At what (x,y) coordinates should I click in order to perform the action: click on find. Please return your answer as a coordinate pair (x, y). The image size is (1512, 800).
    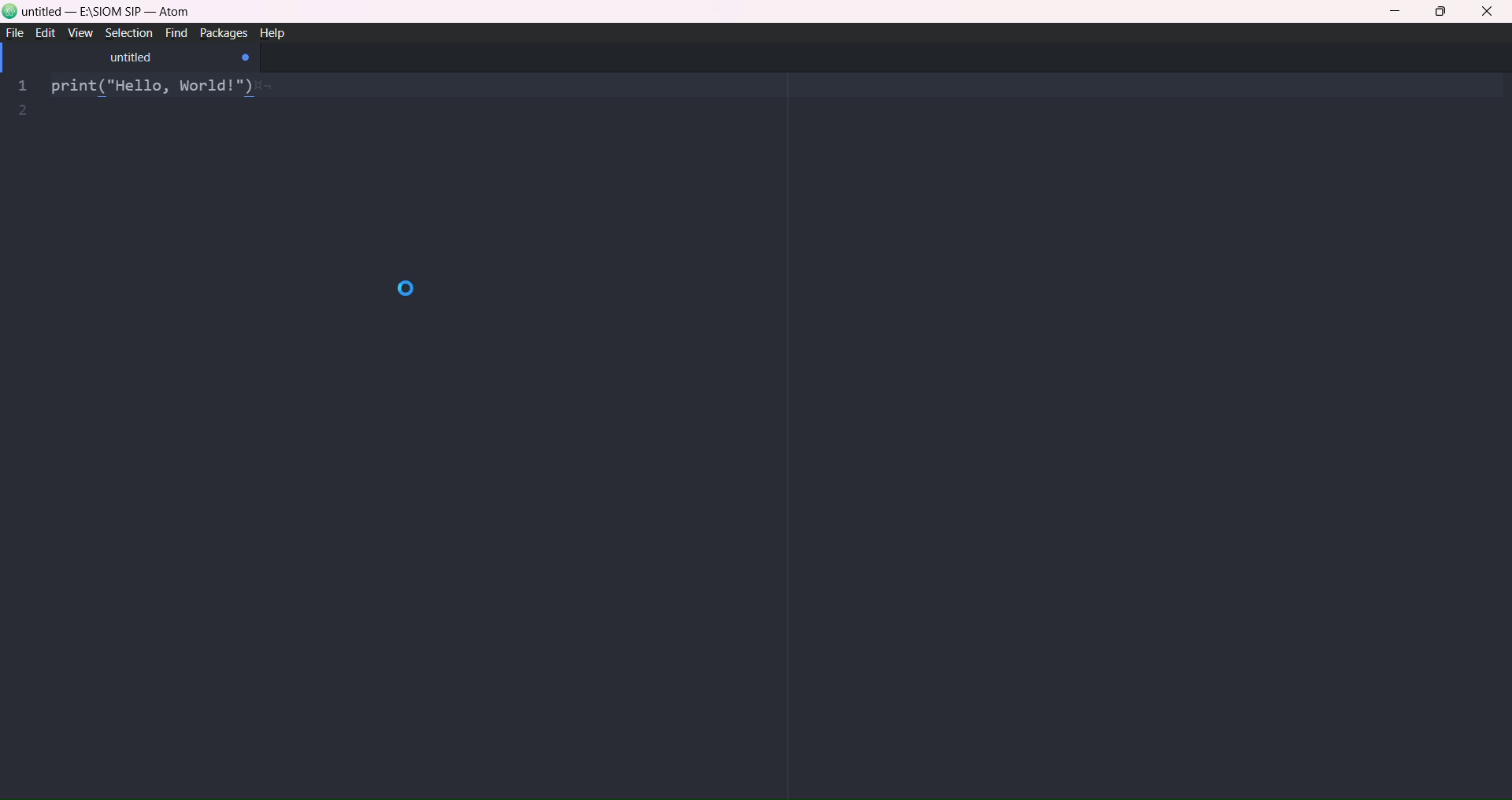
    Looking at the image, I should click on (176, 35).